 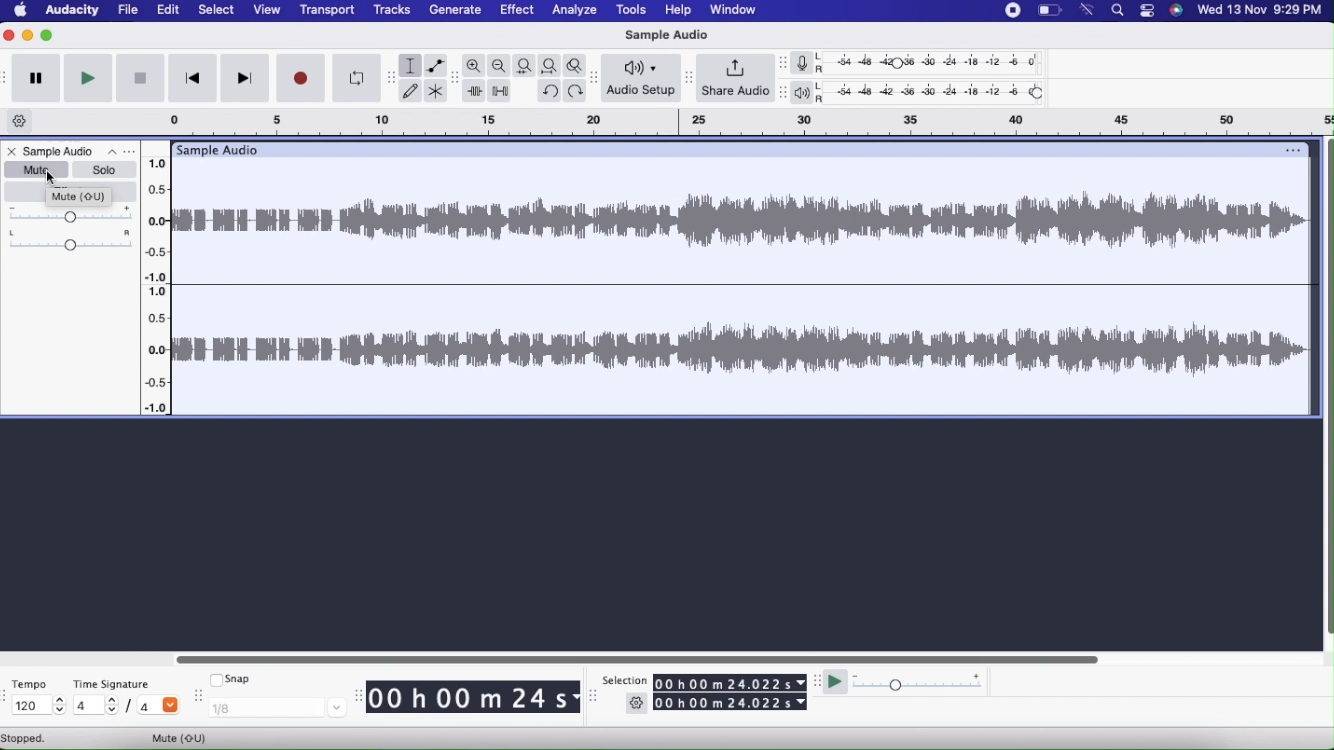 I want to click on Analyze, so click(x=574, y=11).